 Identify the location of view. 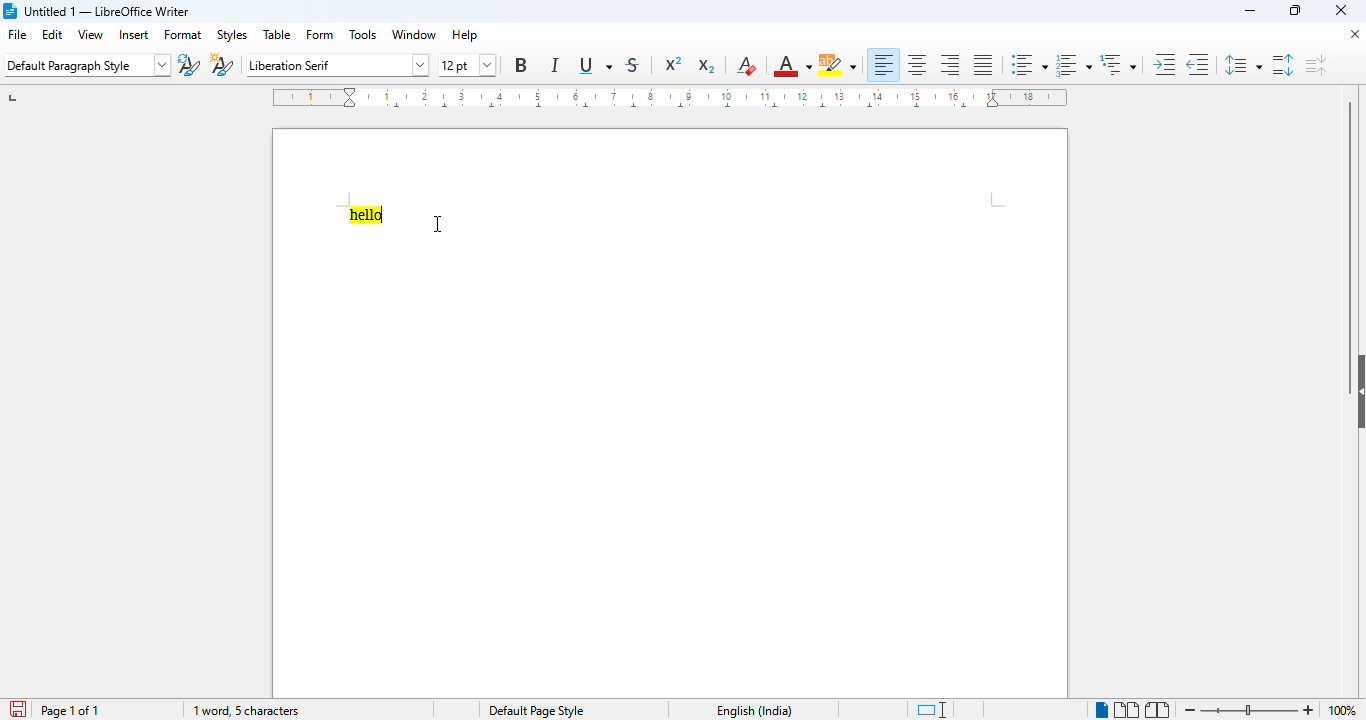
(90, 34).